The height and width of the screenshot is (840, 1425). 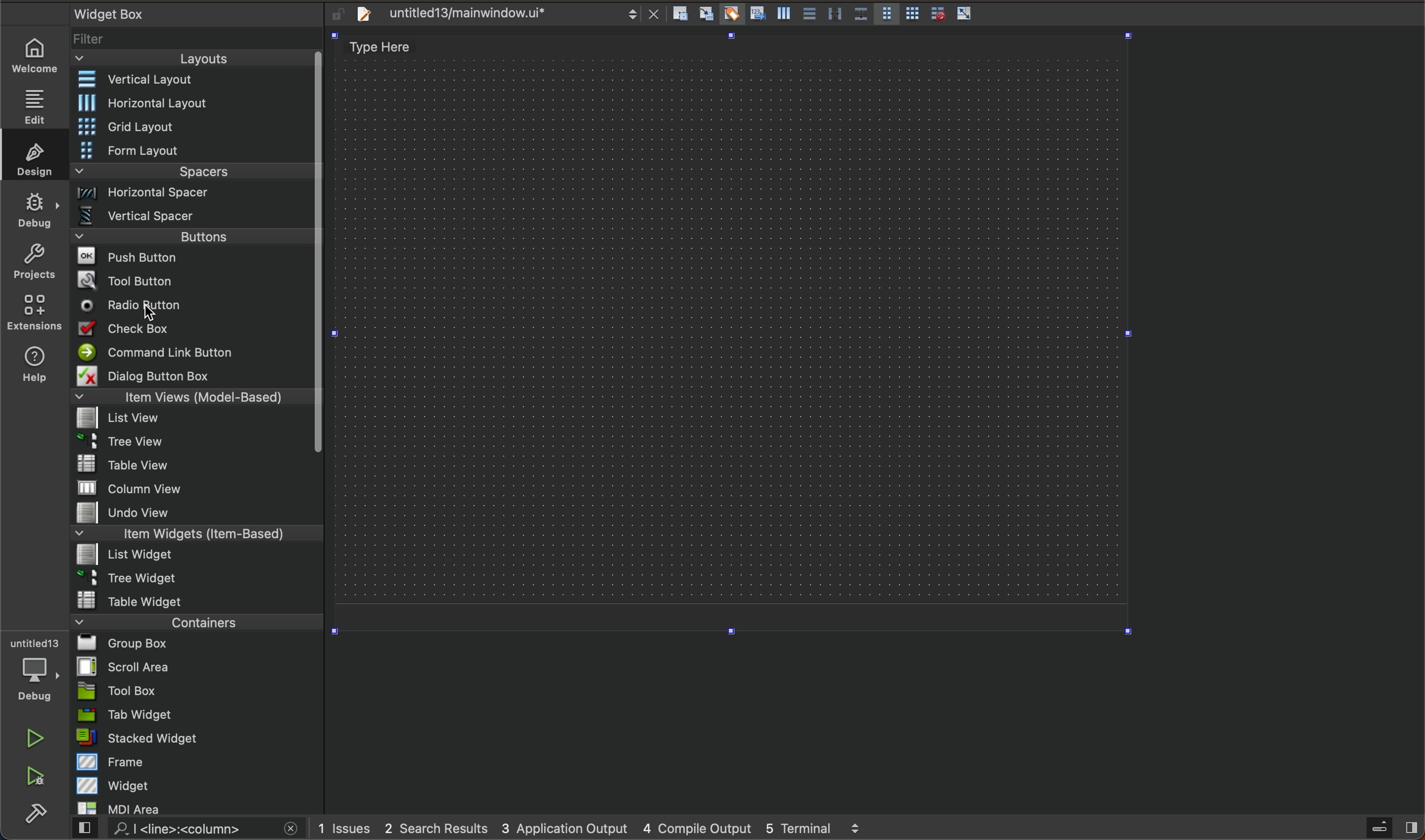 I want to click on widget, so click(x=199, y=785).